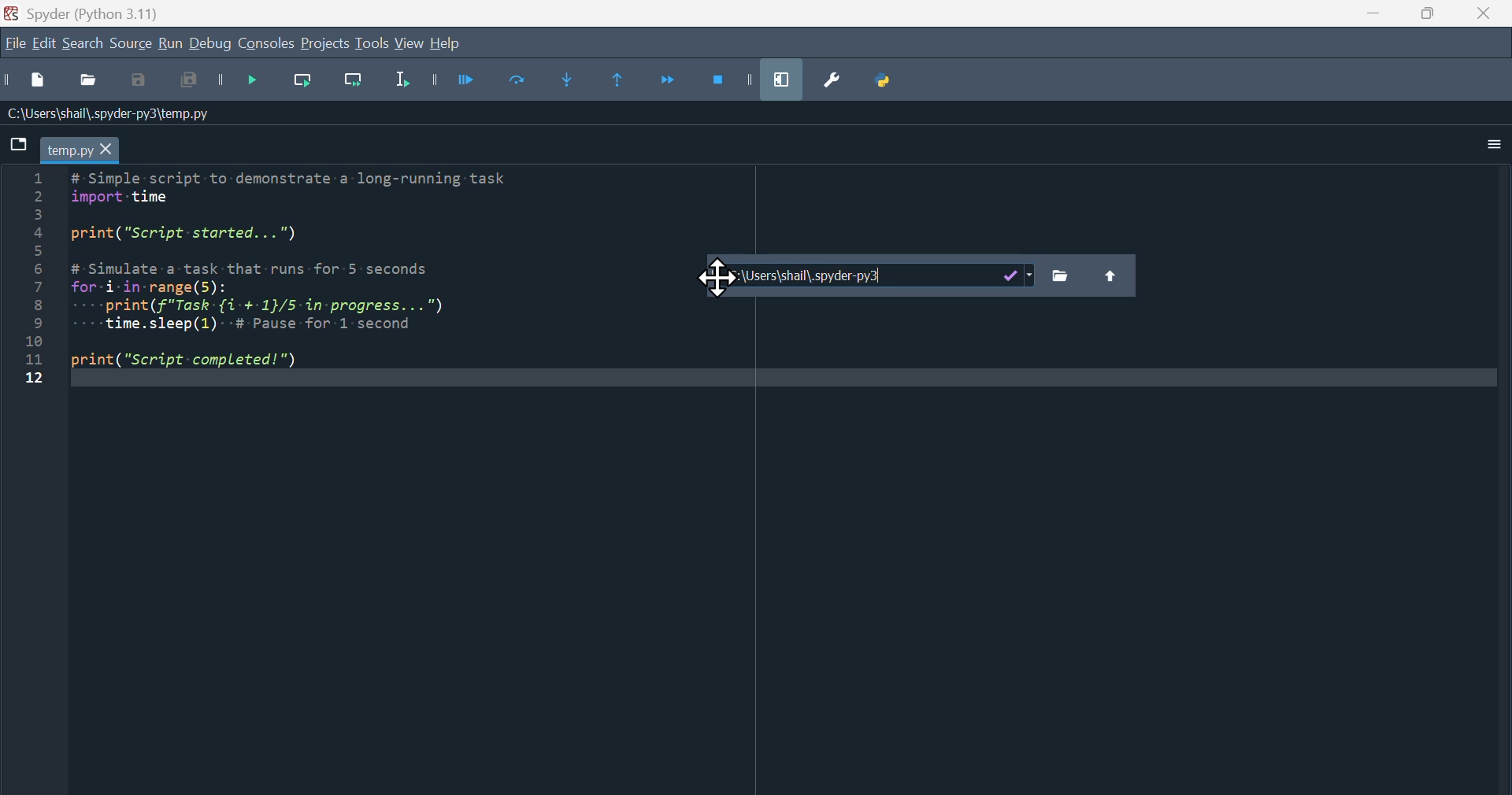 This screenshot has width=1512, height=795. I want to click on Projects, so click(322, 43).